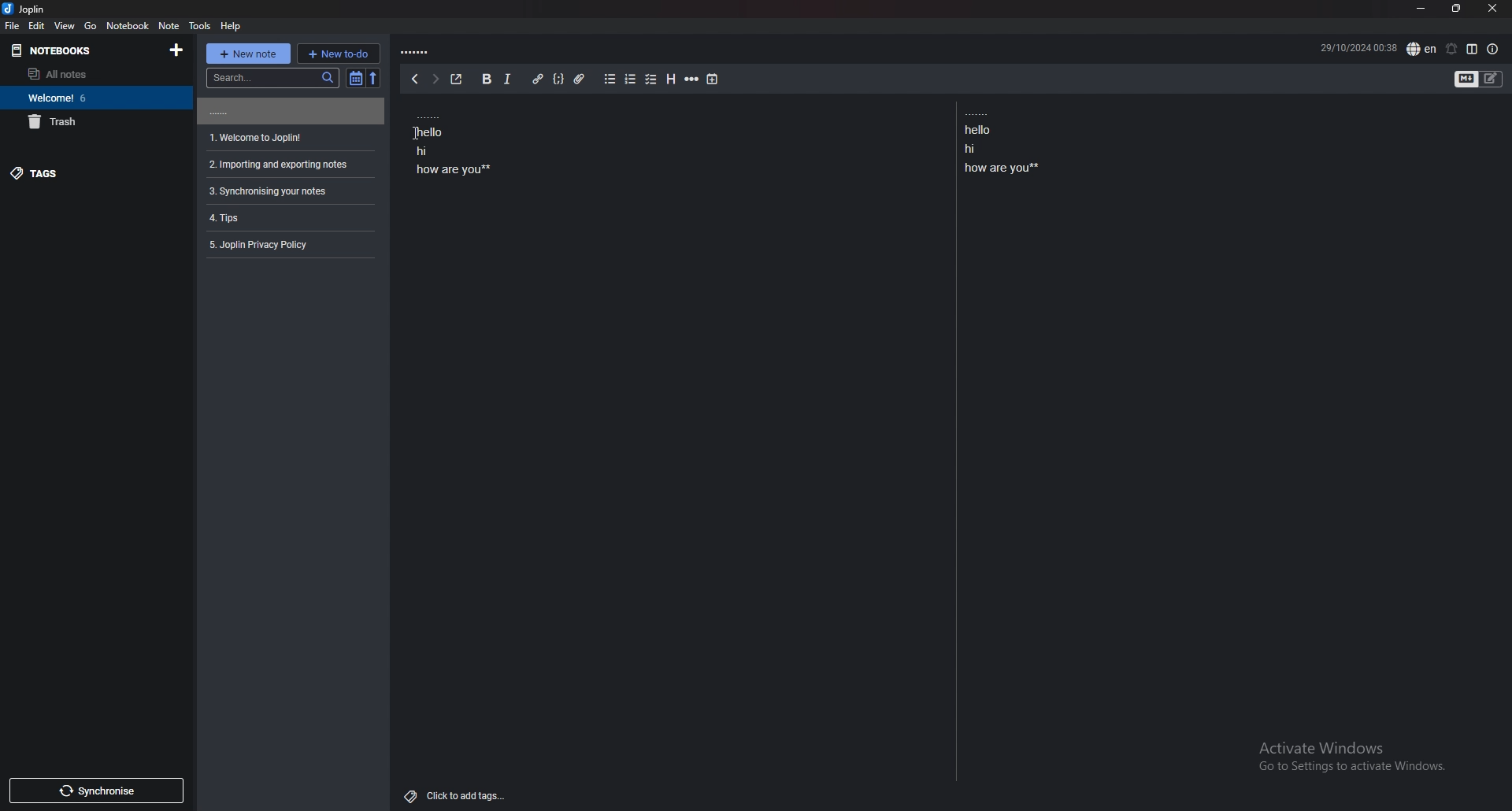 This screenshot has height=811, width=1512. Describe the element at coordinates (434, 79) in the screenshot. I see `forward` at that location.